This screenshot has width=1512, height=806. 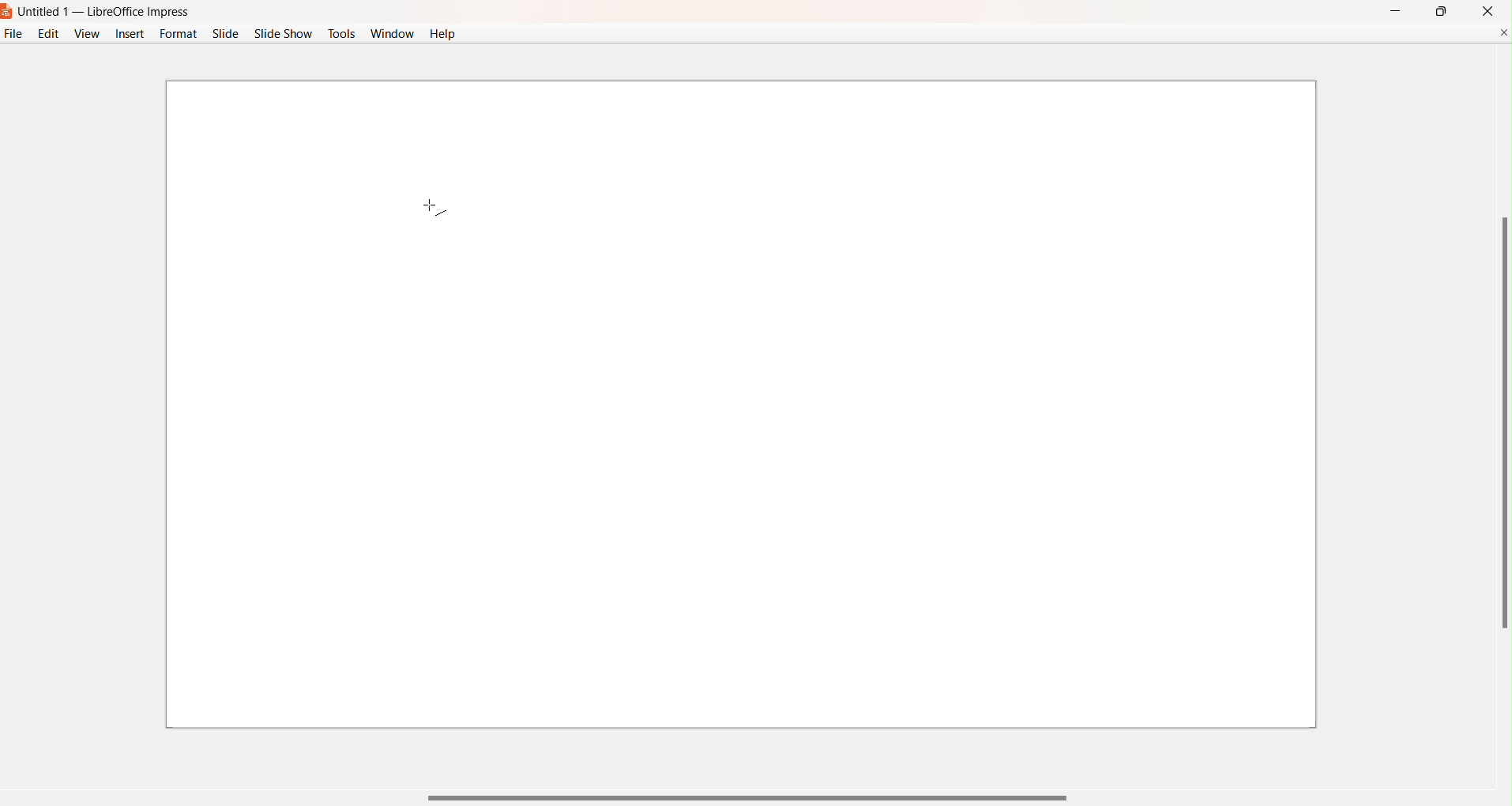 I want to click on maximize, so click(x=1440, y=11).